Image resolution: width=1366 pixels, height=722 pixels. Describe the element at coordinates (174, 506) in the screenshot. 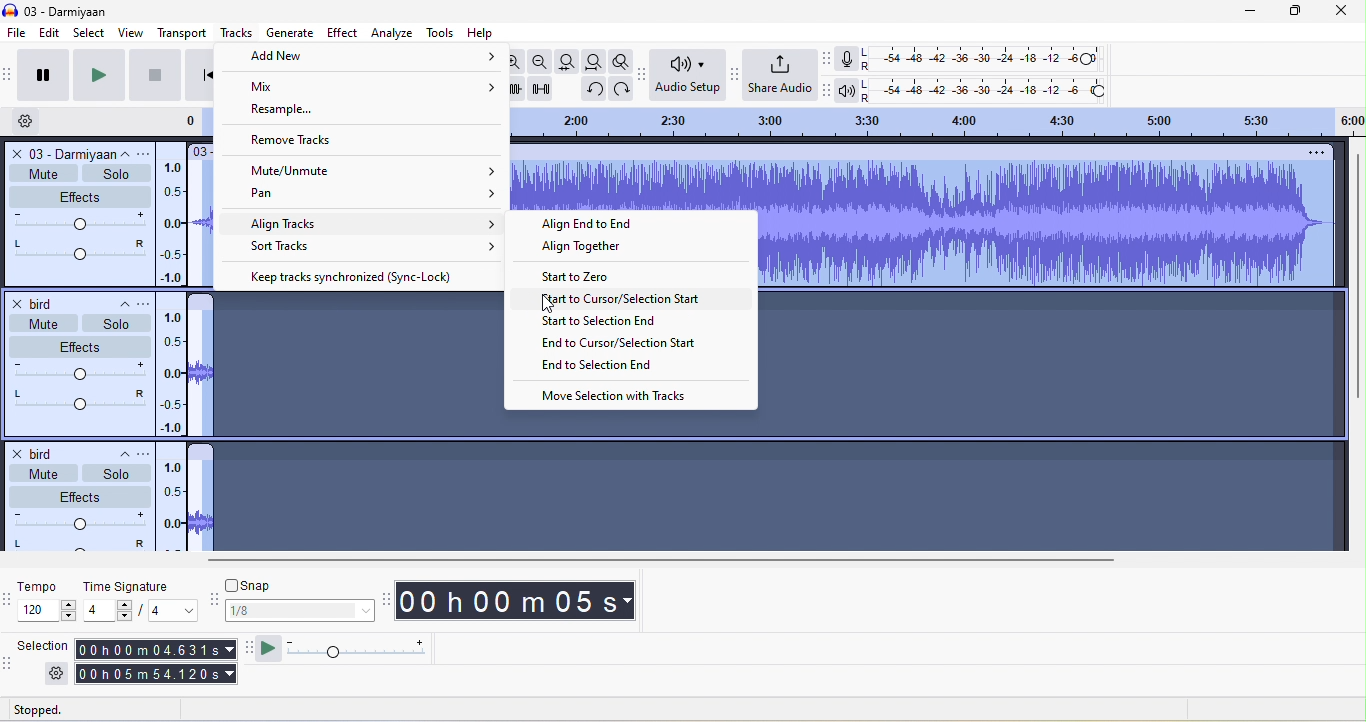

I see `linear` at that location.